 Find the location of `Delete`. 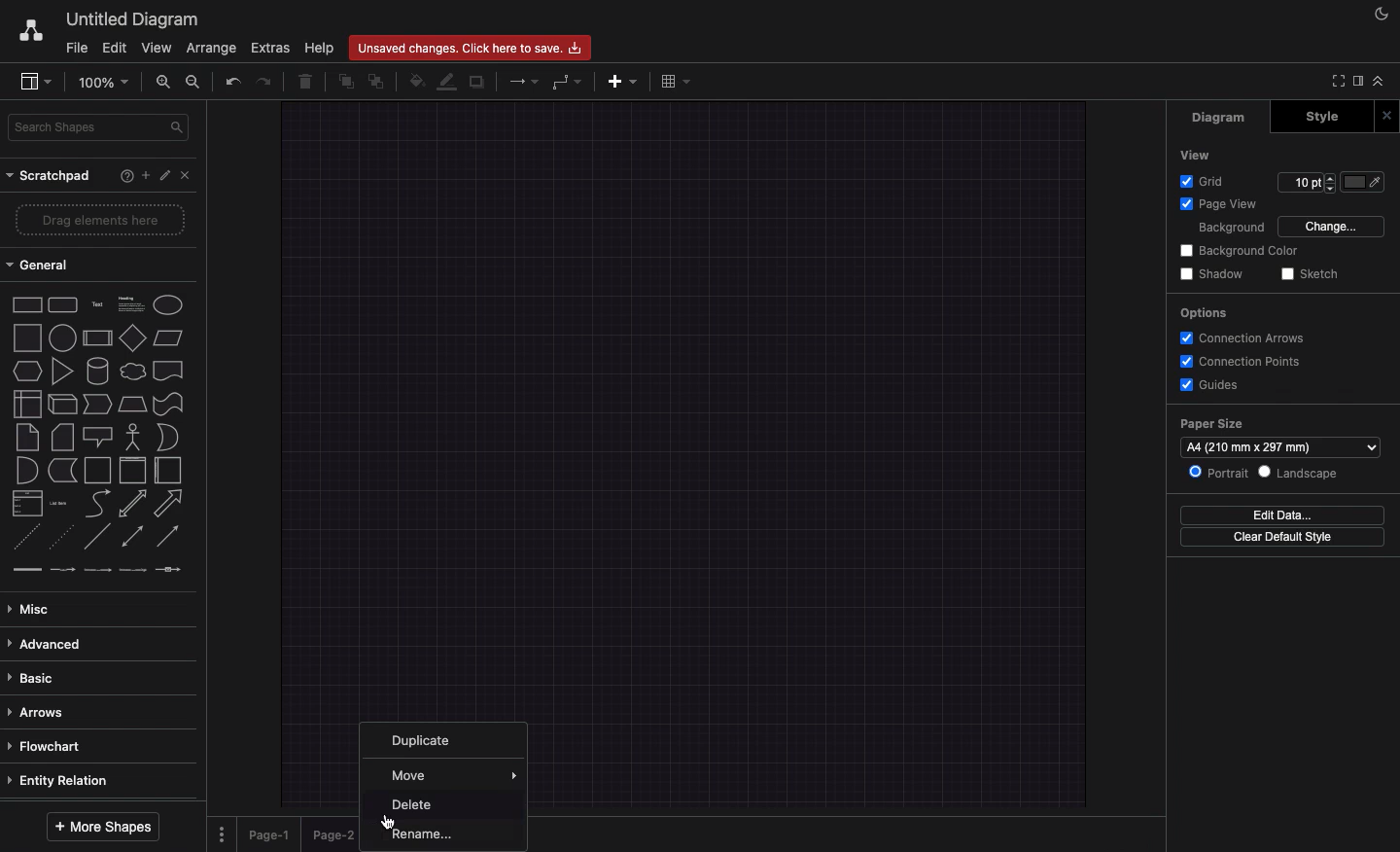

Delete is located at coordinates (417, 804).